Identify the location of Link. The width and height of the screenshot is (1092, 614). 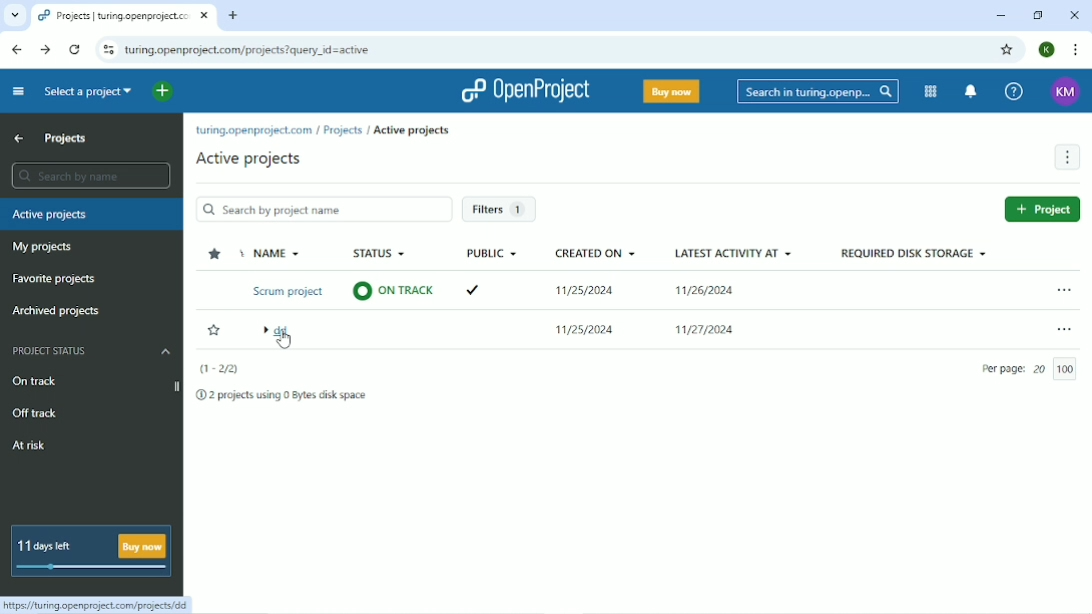
(100, 605).